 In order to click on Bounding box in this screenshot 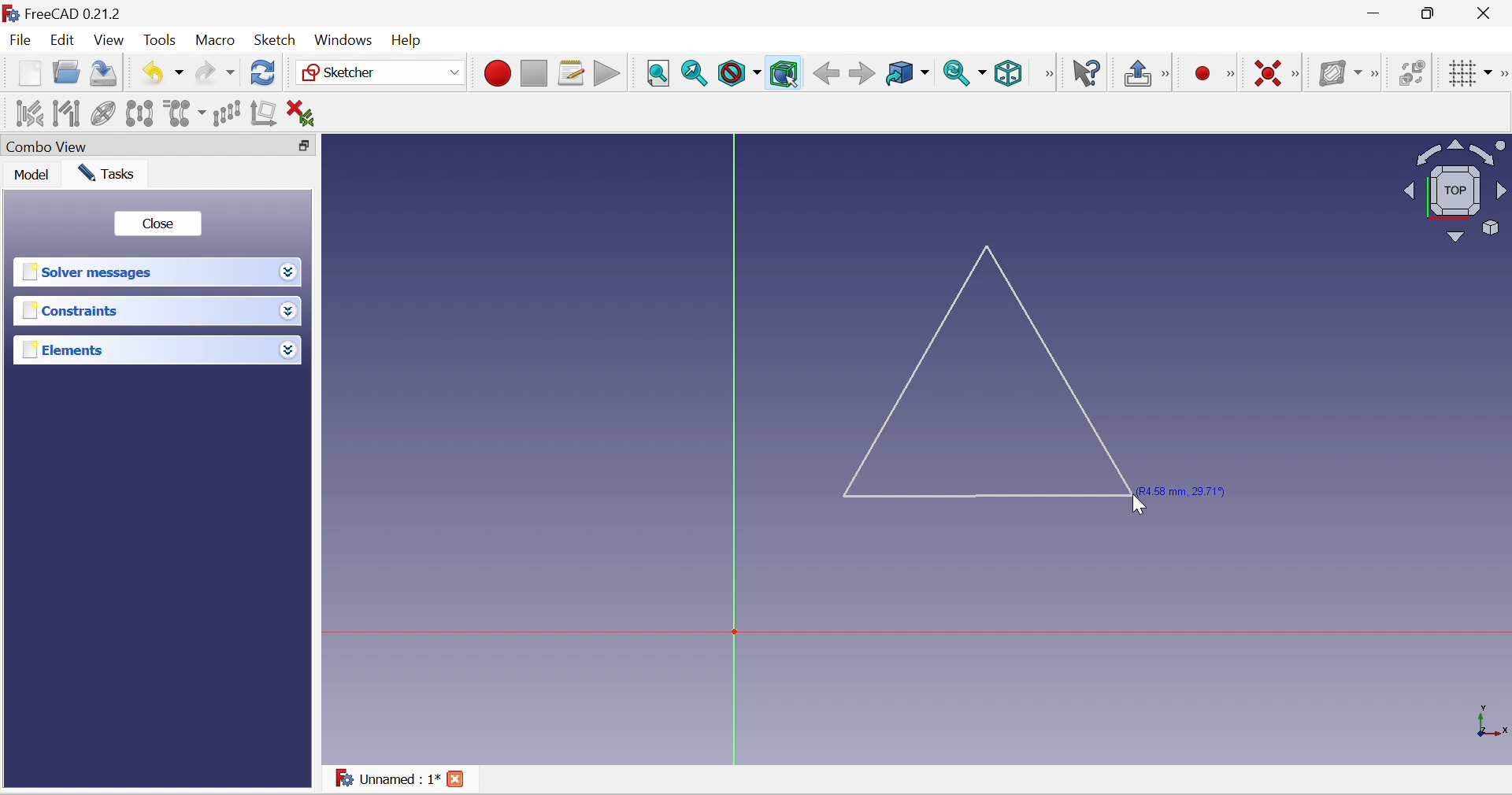, I will do `click(785, 74)`.